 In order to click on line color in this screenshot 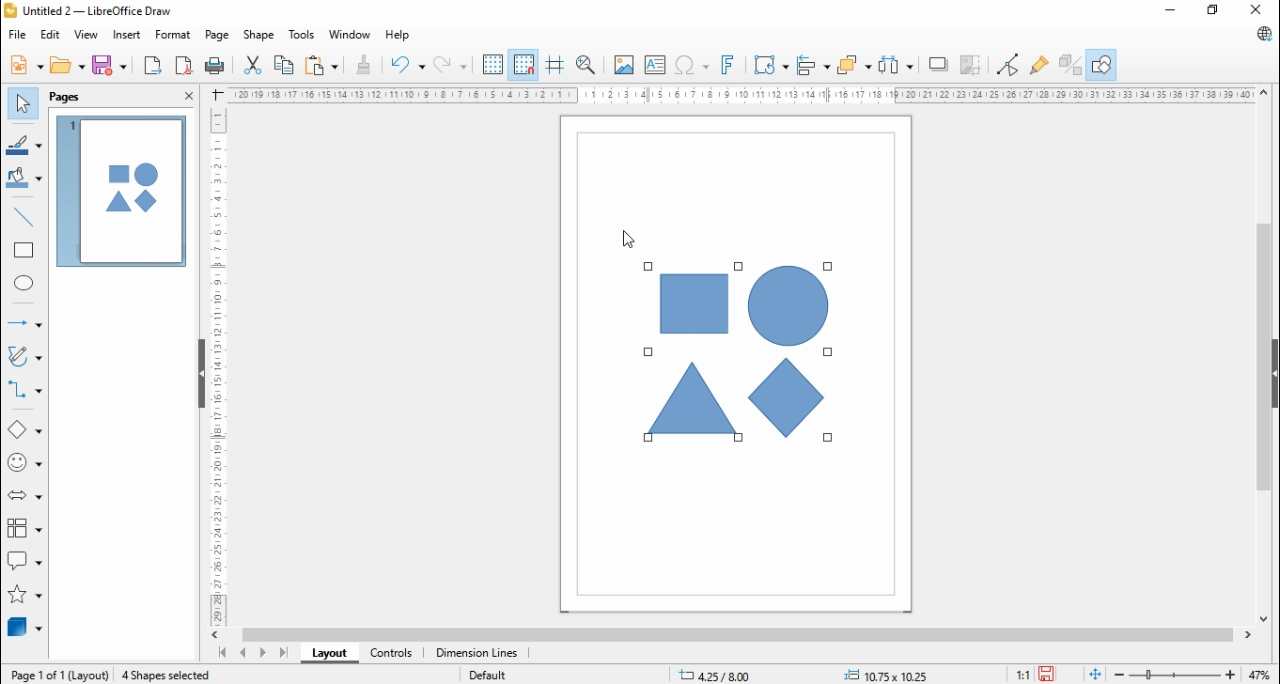, I will do `click(24, 143)`.